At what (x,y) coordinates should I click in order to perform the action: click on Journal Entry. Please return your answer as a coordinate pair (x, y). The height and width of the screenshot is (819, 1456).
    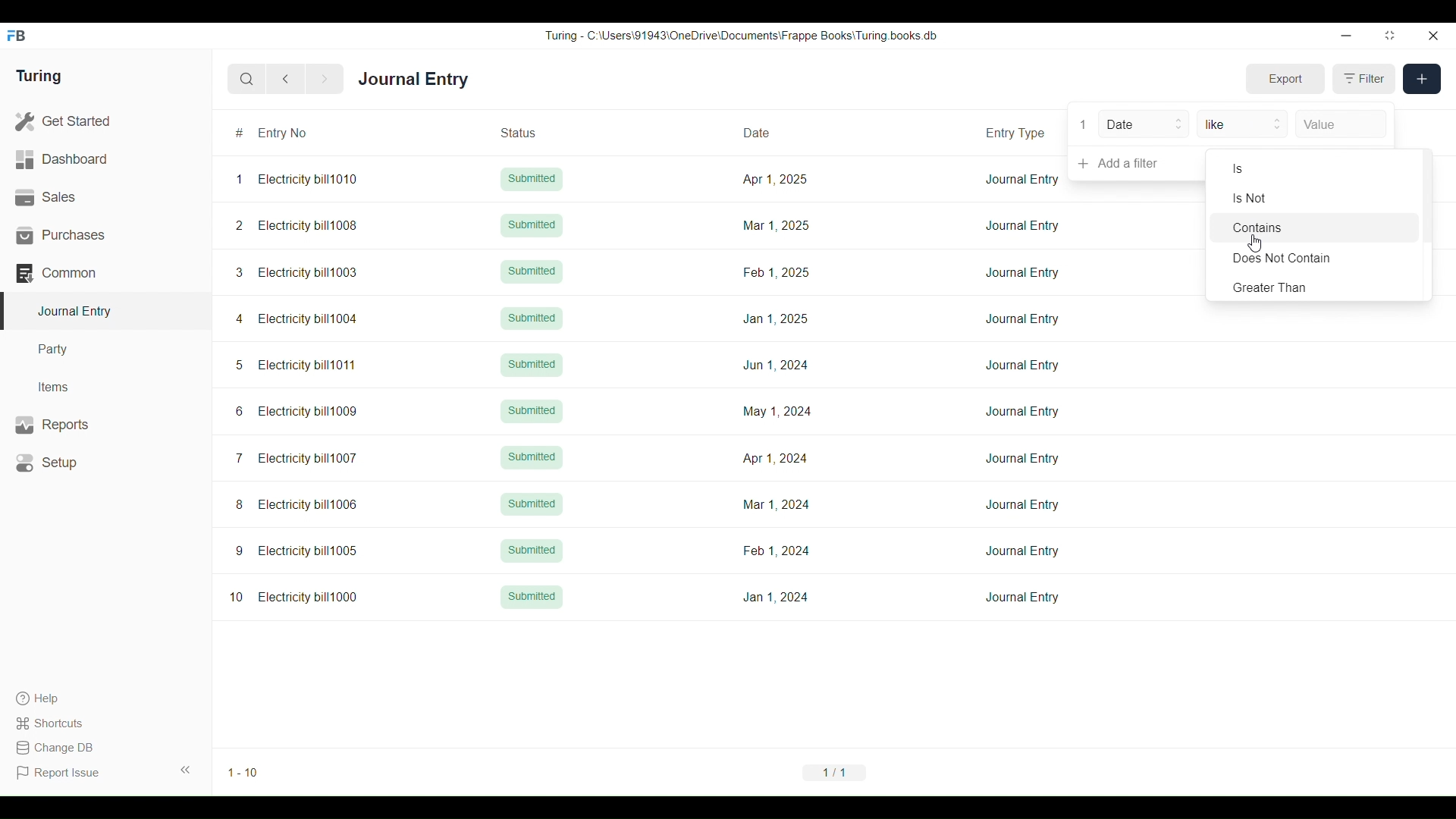
    Looking at the image, I should click on (413, 78).